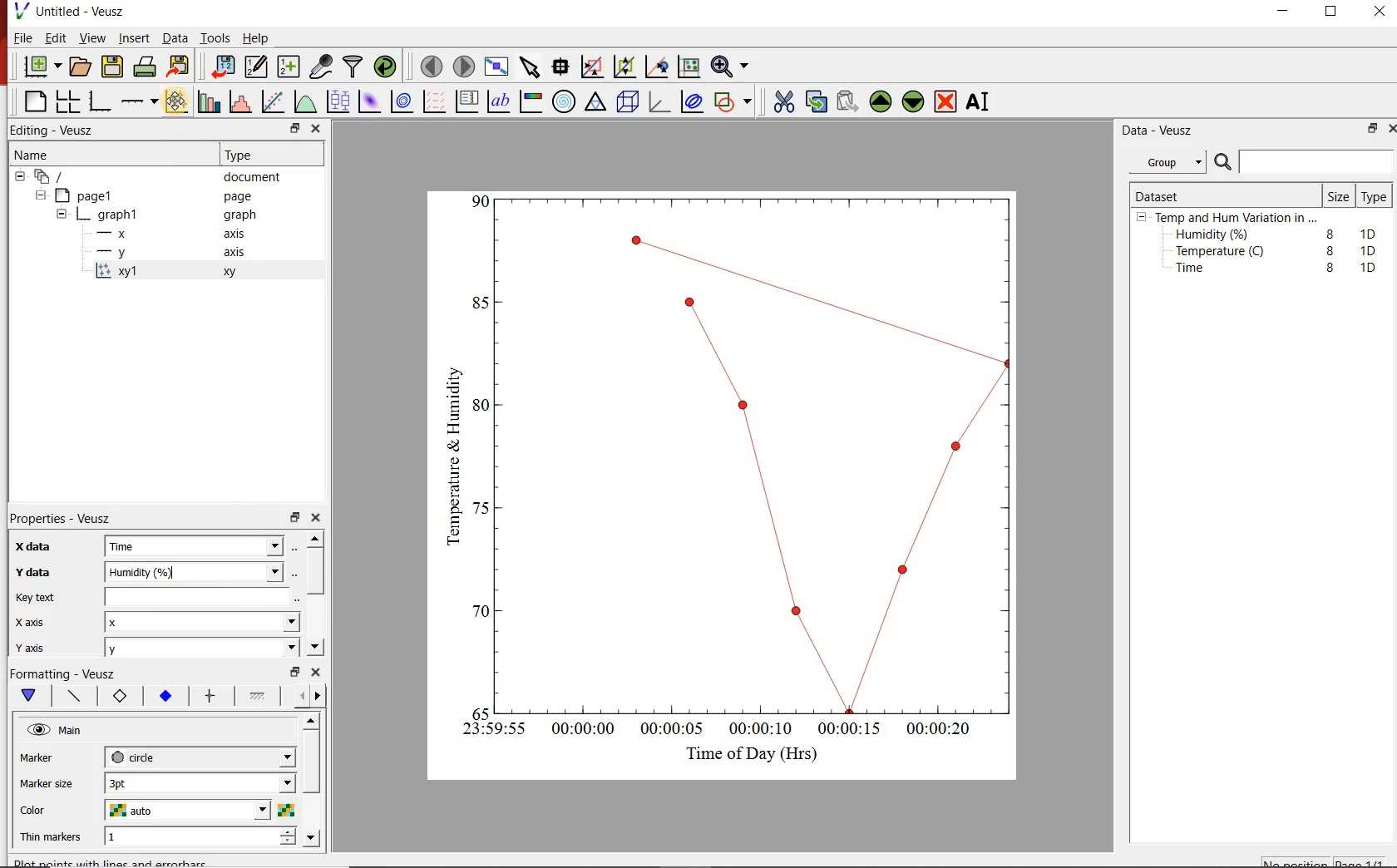 This screenshot has width=1397, height=868. What do you see at coordinates (249, 784) in the screenshot?
I see `Marker size dropdown` at bounding box center [249, 784].